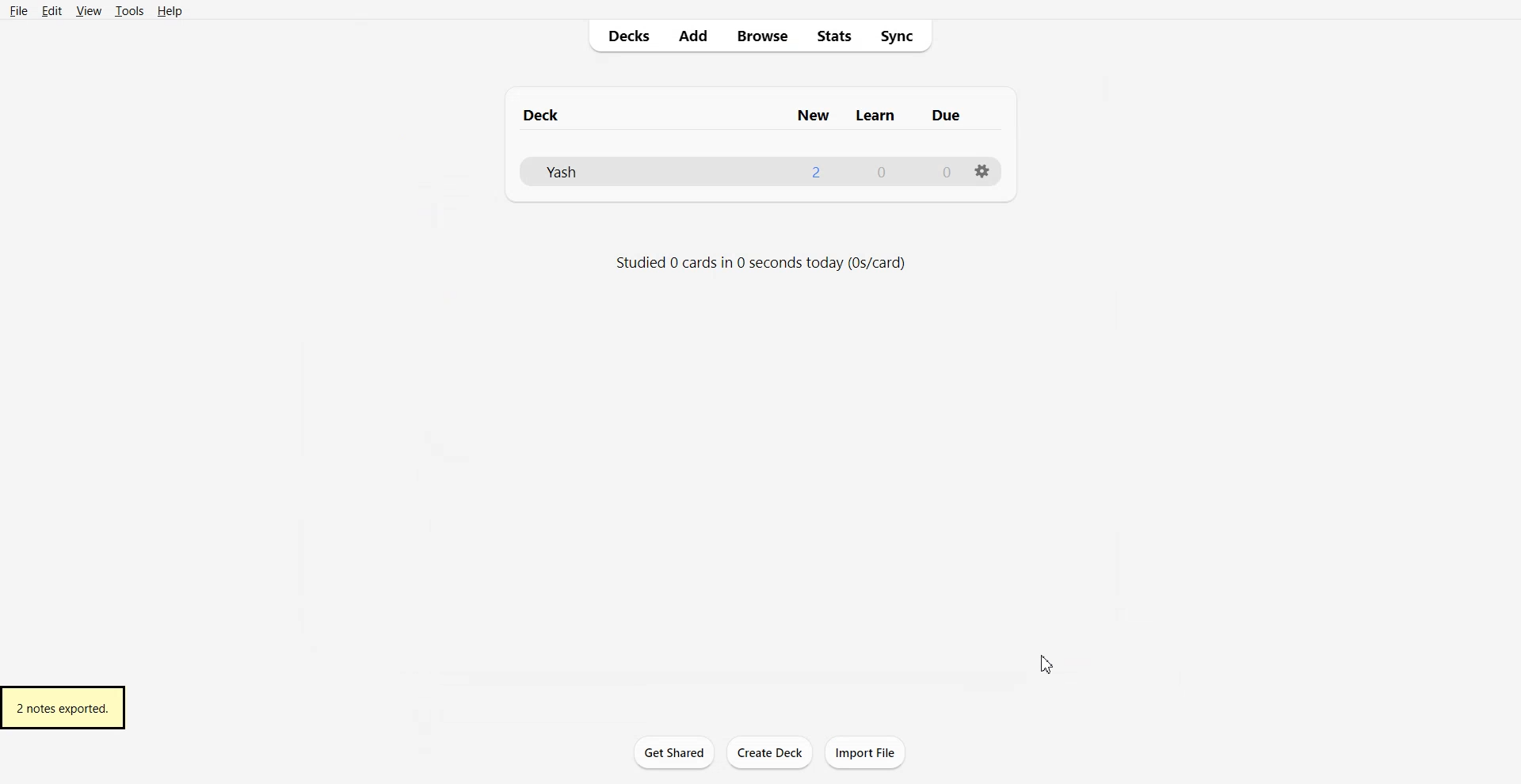 This screenshot has height=784, width=1521. I want to click on Settings, so click(985, 172).